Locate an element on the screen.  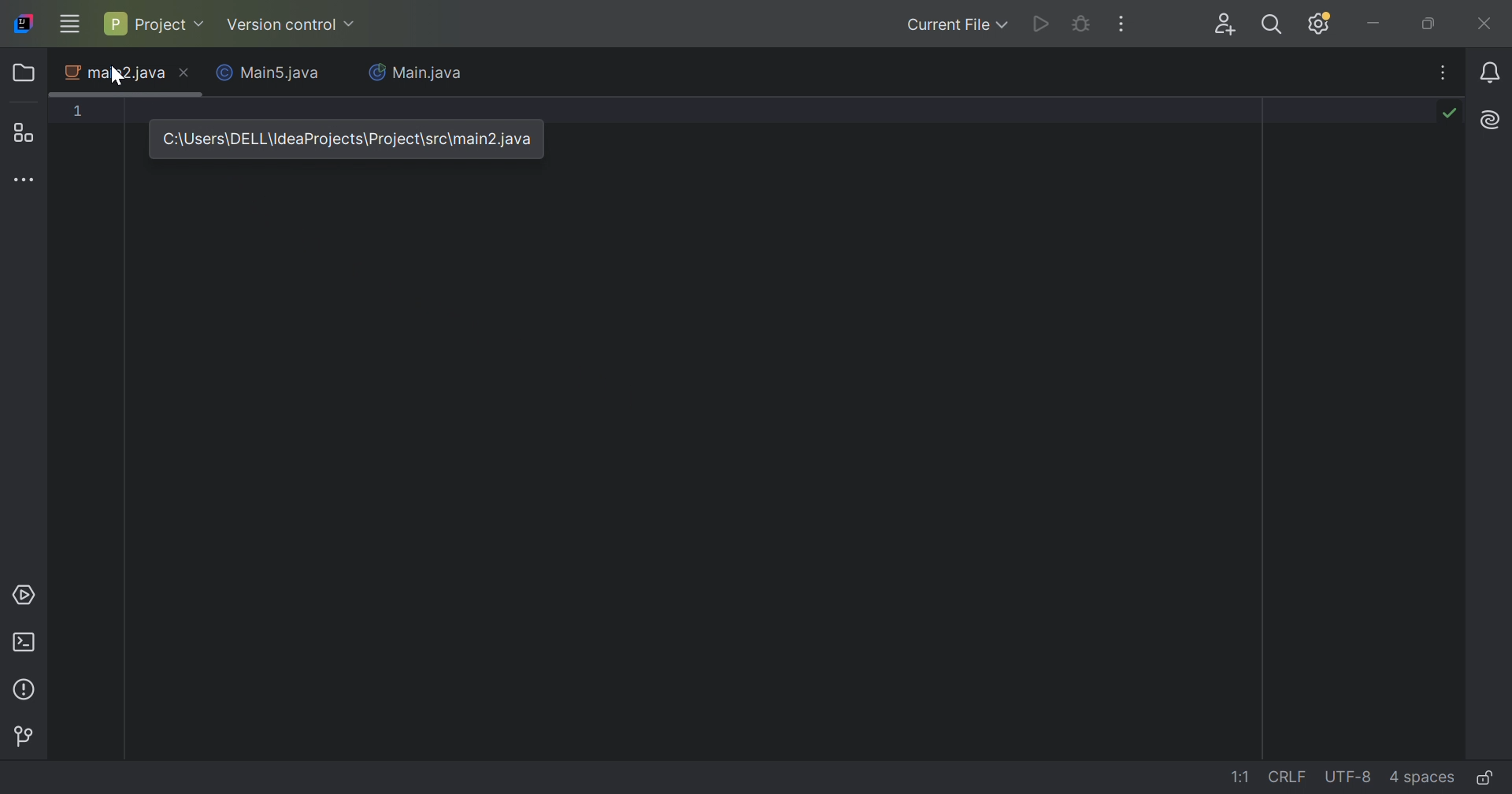
More tool windows is located at coordinates (26, 178).